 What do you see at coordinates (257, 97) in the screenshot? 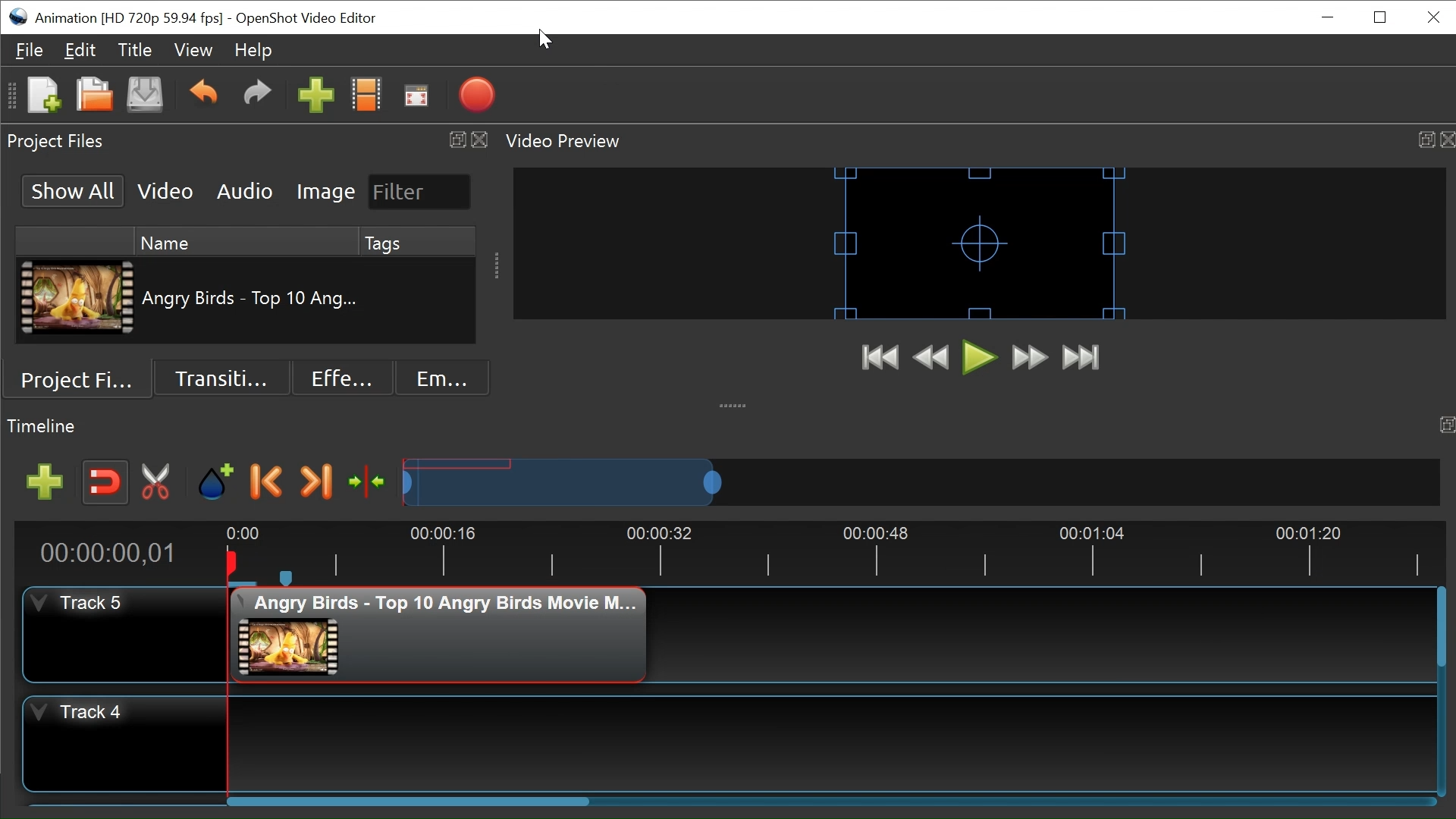
I see `Redo` at bounding box center [257, 97].